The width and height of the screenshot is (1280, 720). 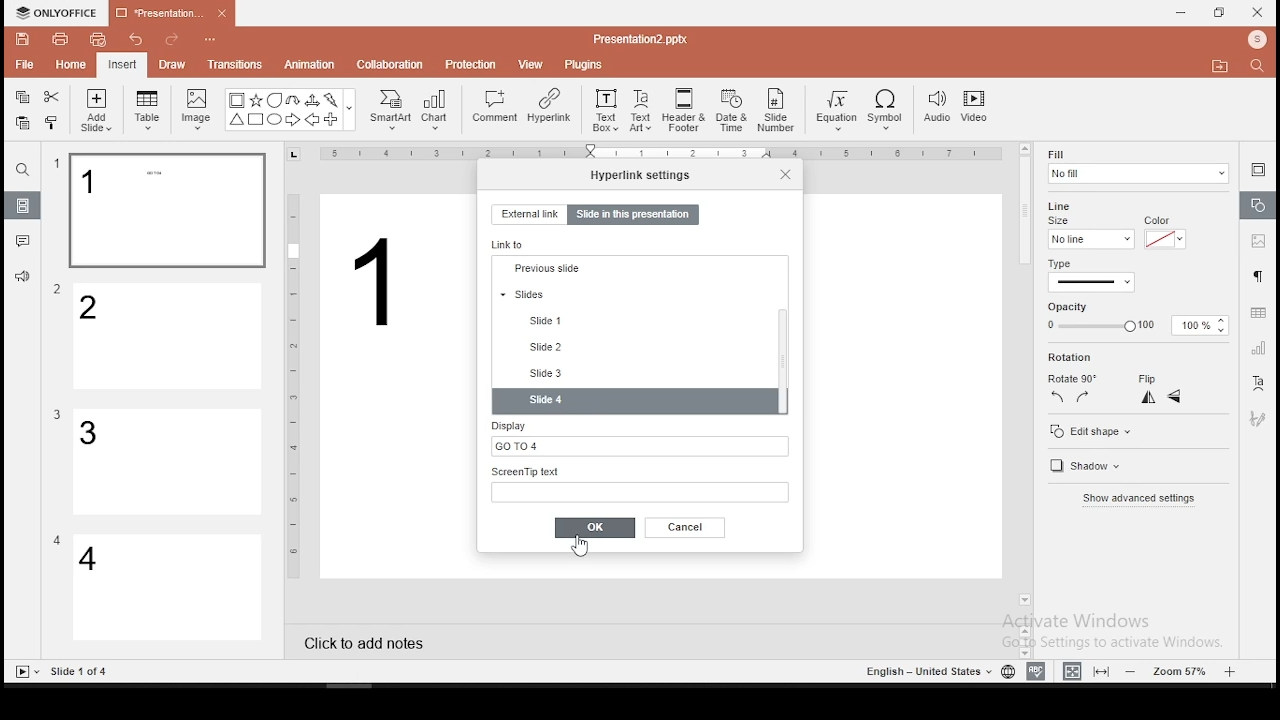 What do you see at coordinates (436, 109) in the screenshot?
I see `chart` at bounding box center [436, 109].